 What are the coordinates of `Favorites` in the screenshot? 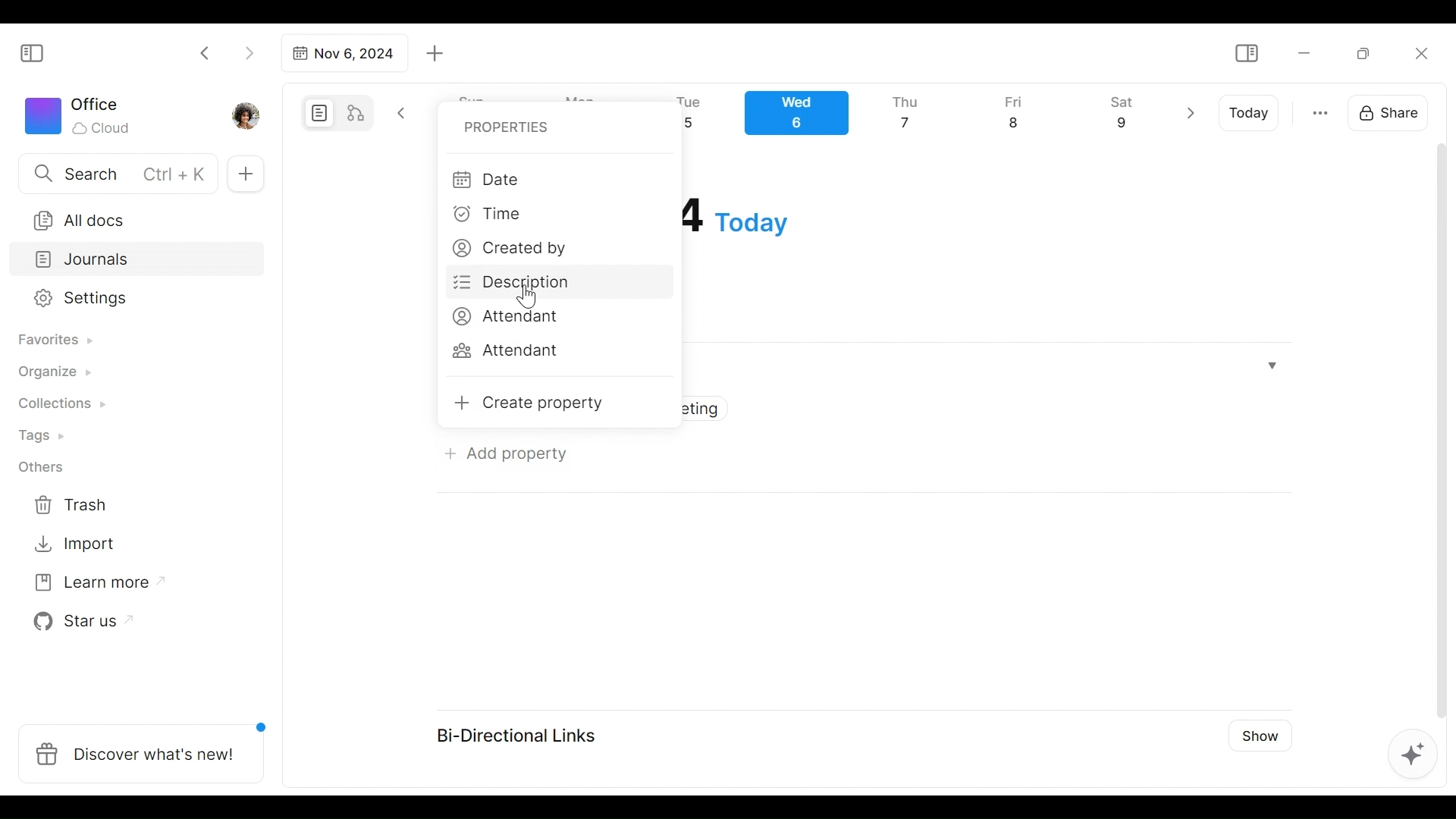 It's located at (54, 340).